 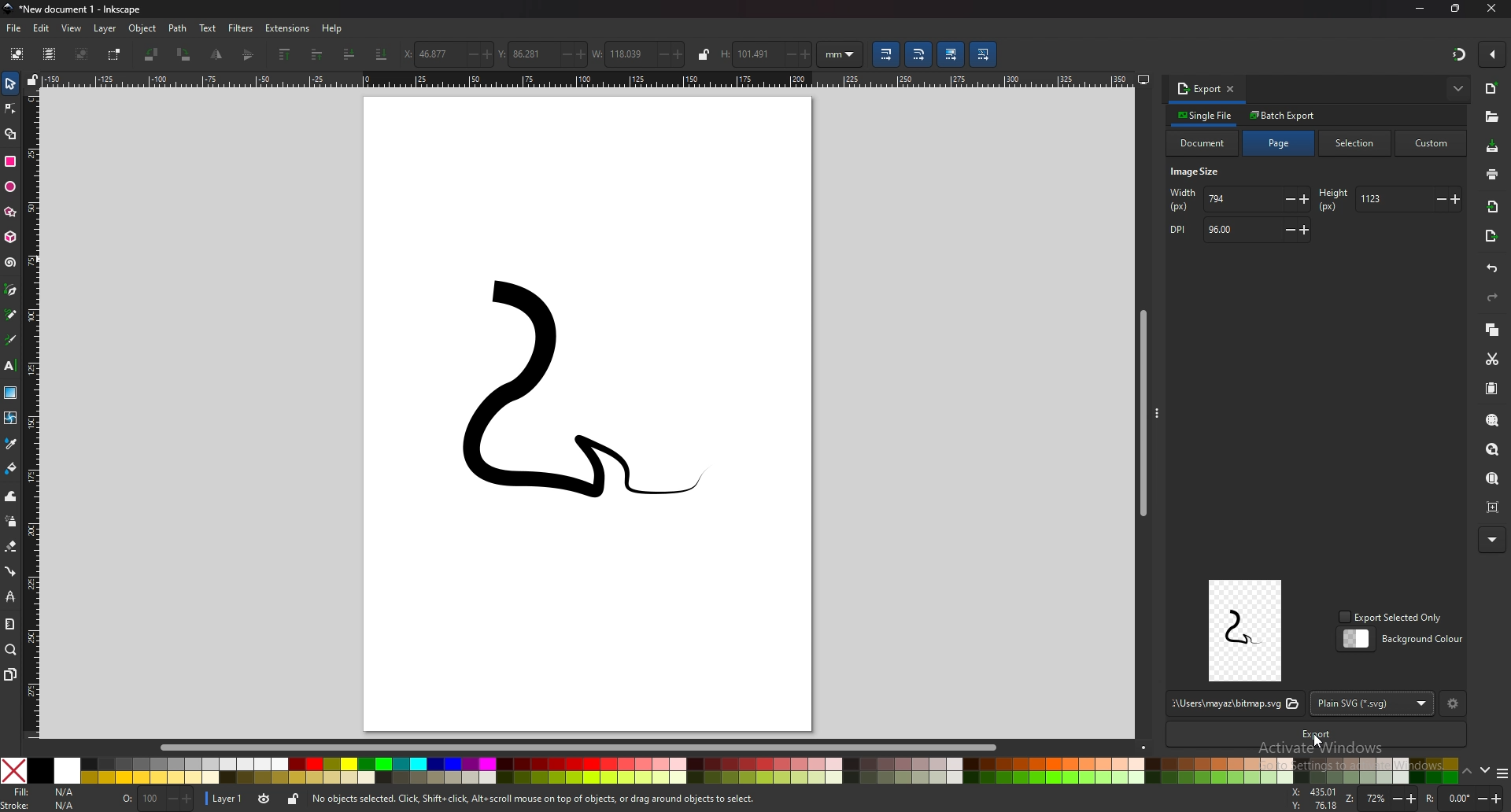 What do you see at coordinates (588, 79) in the screenshot?
I see `horizontal scale` at bounding box center [588, 79].